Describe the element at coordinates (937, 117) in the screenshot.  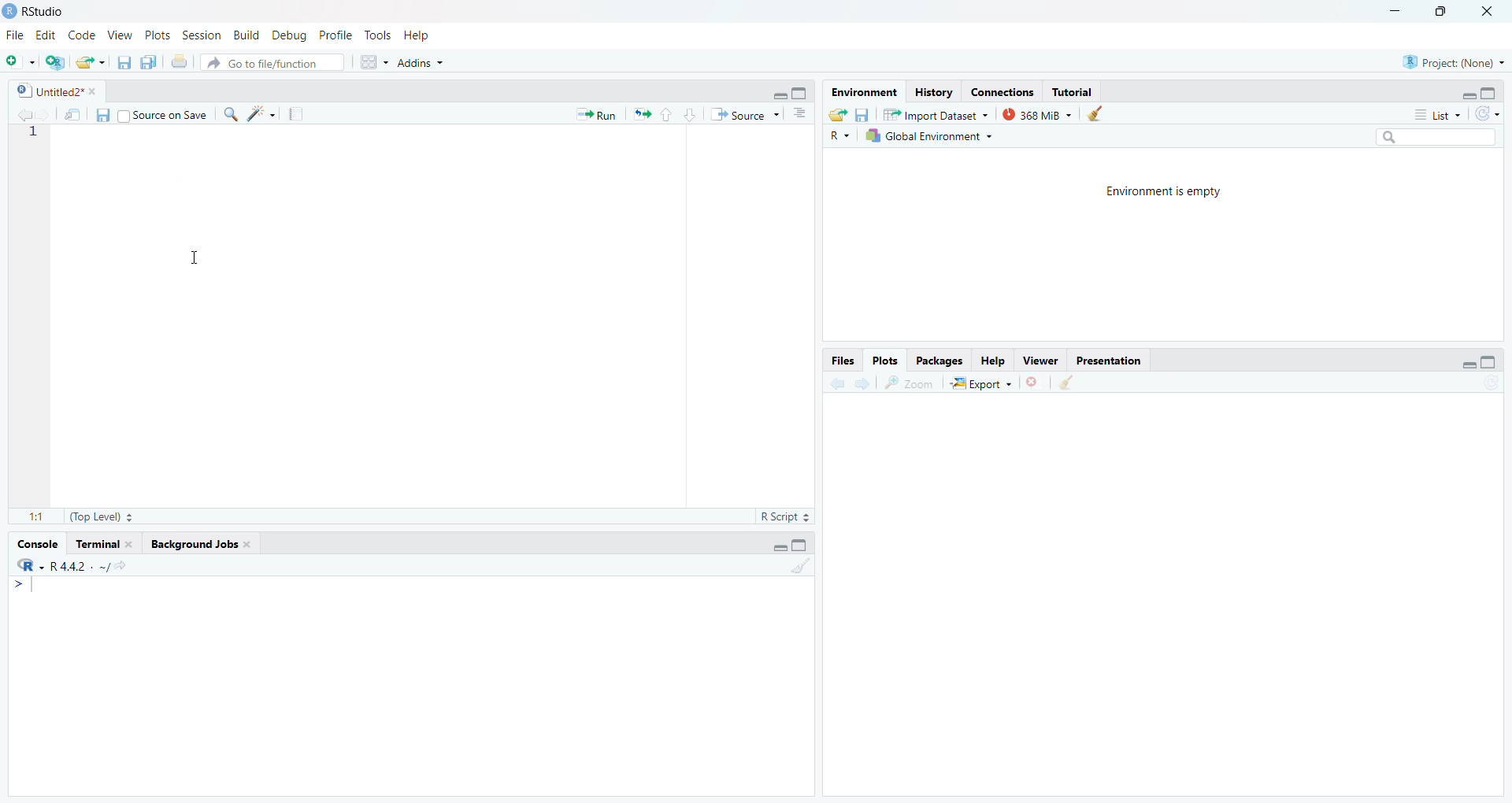
I see `Import Dataset ~` at that location.